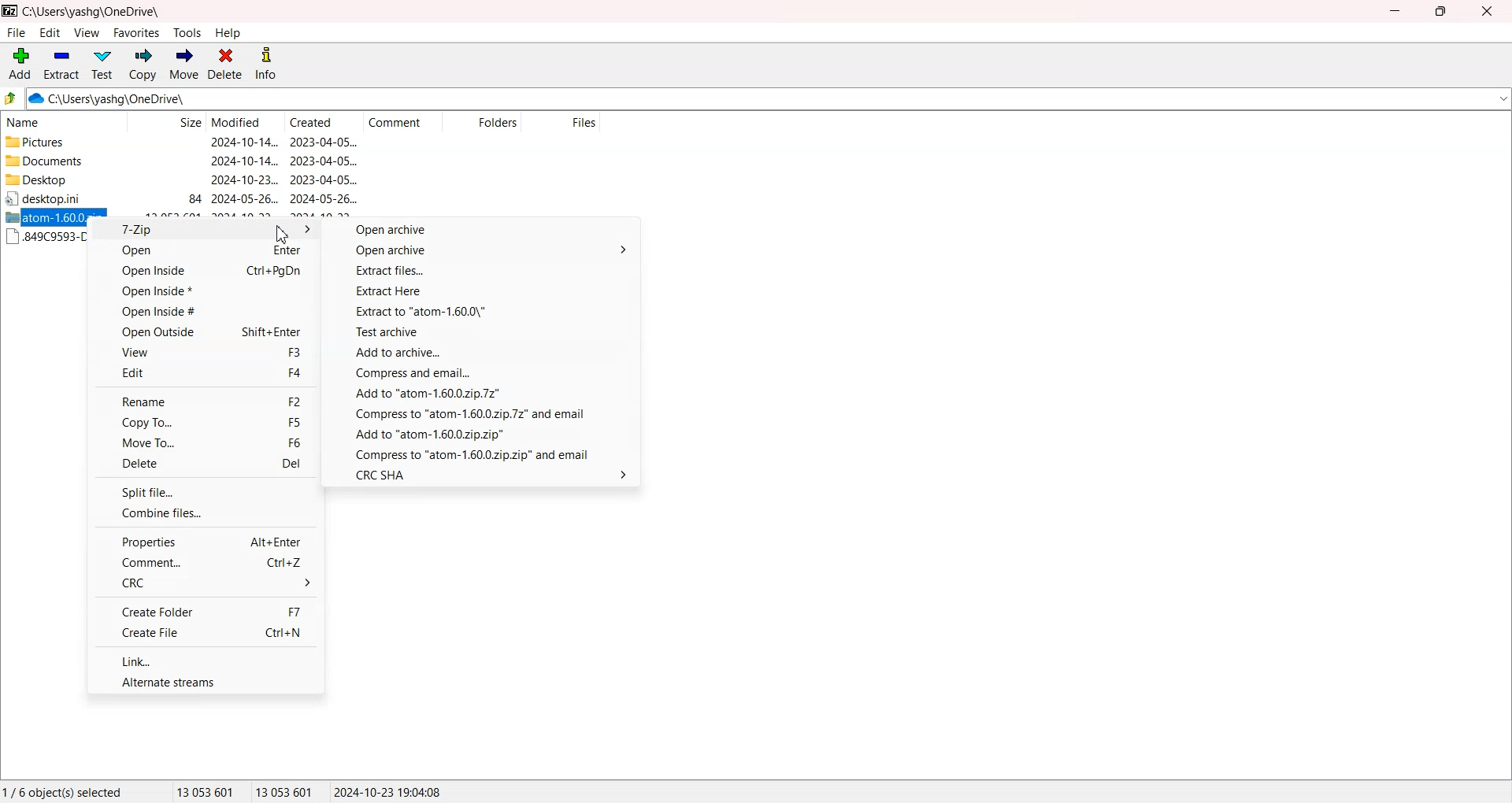 This screenshot has height=803, width=1512. Describe the element at coordinates (486, 252) in the screenshot. I see `Open achieve to` at that location.